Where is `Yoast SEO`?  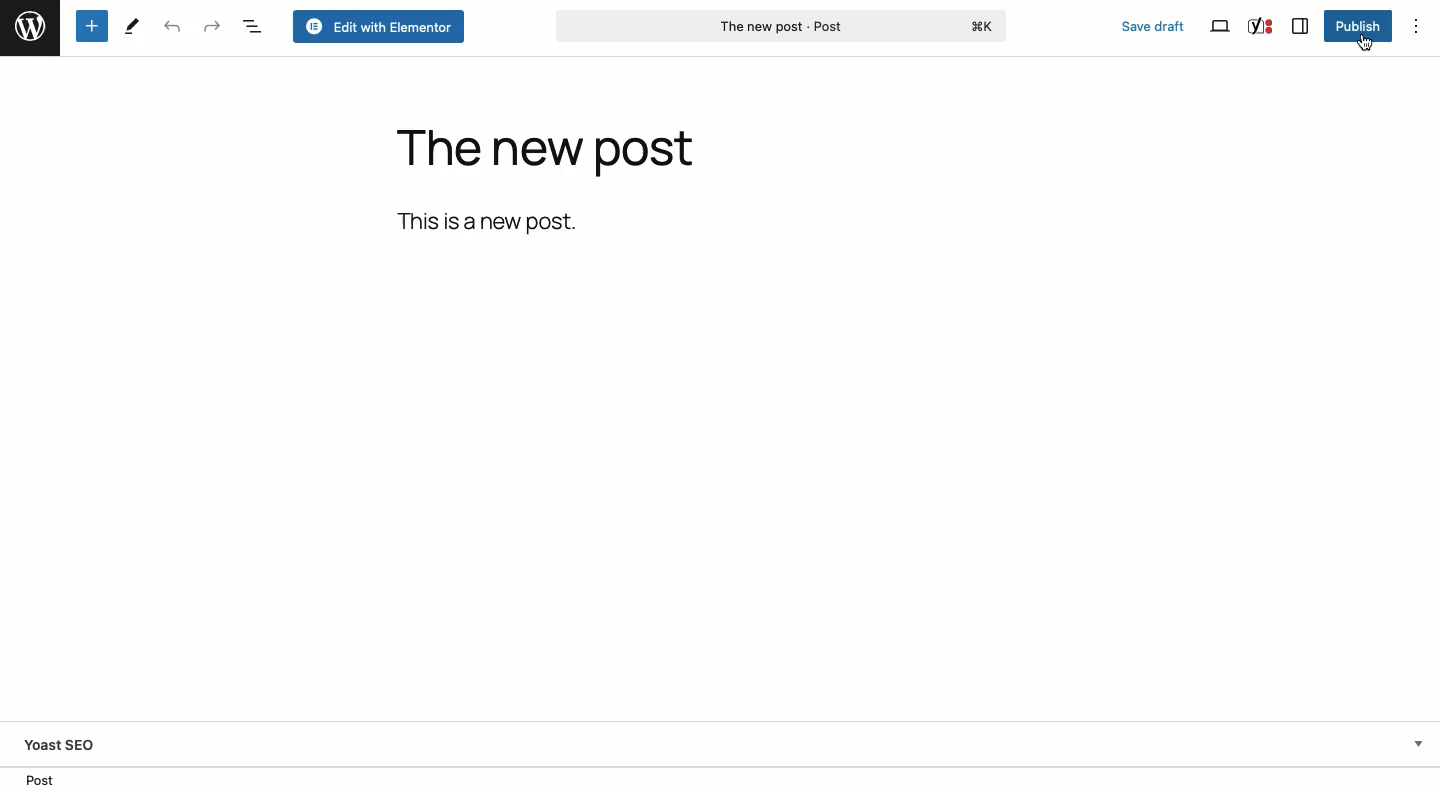 Yoast SEO is located at coordinates (86, 744).